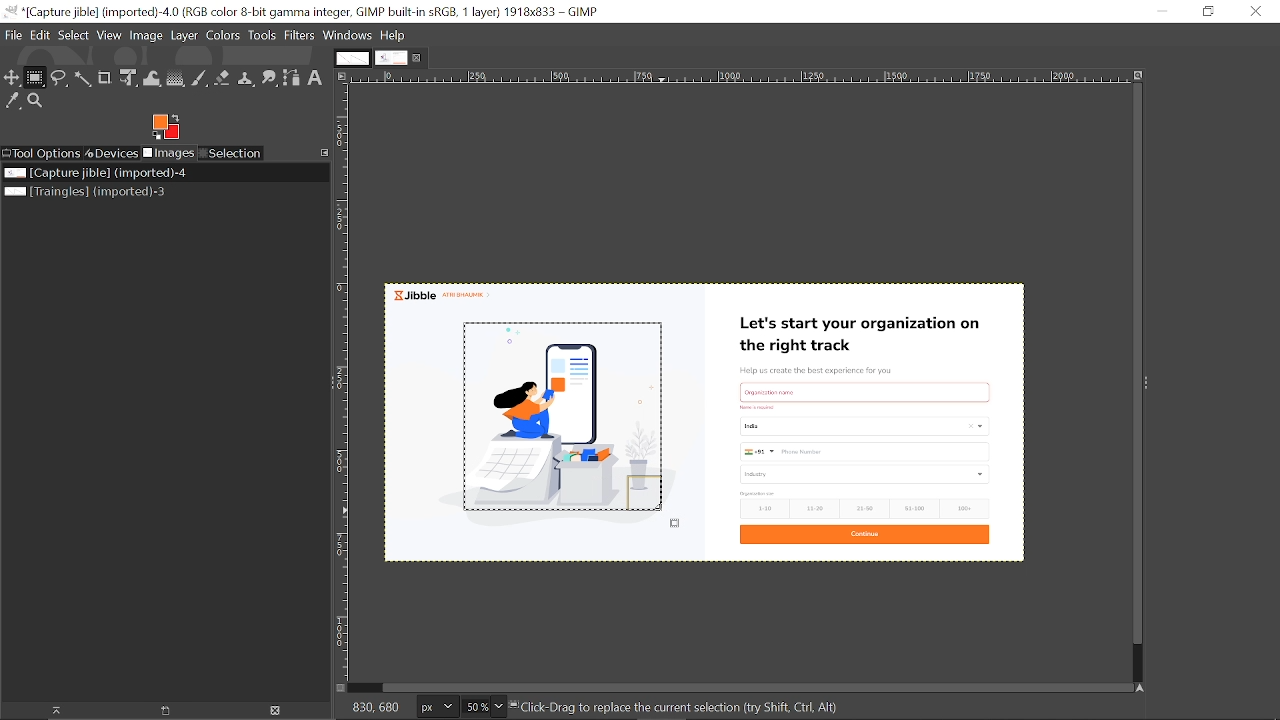 The height and width of the screenshot is (720, 1280). What do you see at coordinates (315, 77) in the screenshot?
I see `Add text` at bounding box center [315, 77].